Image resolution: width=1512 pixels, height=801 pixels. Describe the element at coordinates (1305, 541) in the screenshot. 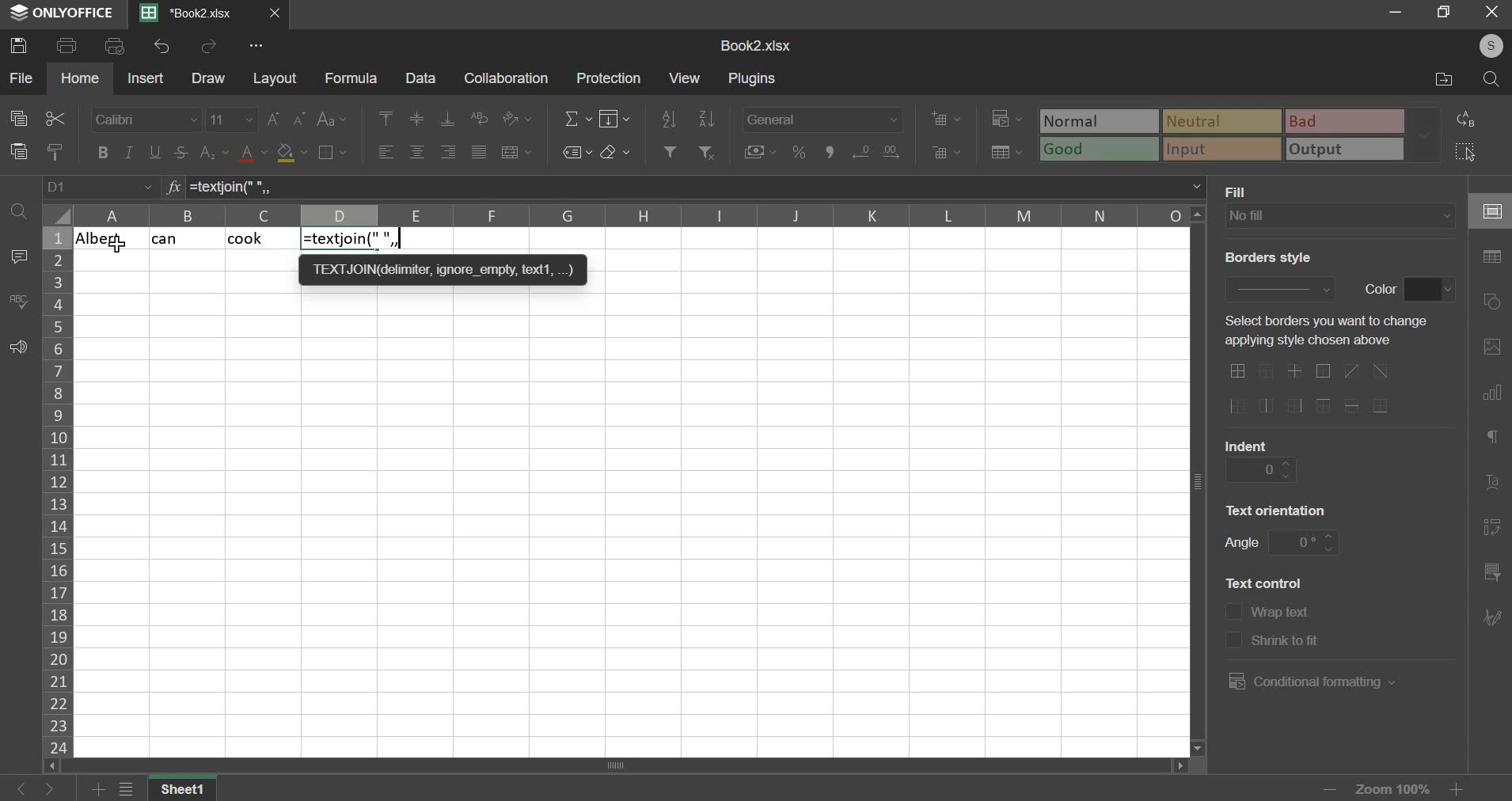

I see `angle` at that location.